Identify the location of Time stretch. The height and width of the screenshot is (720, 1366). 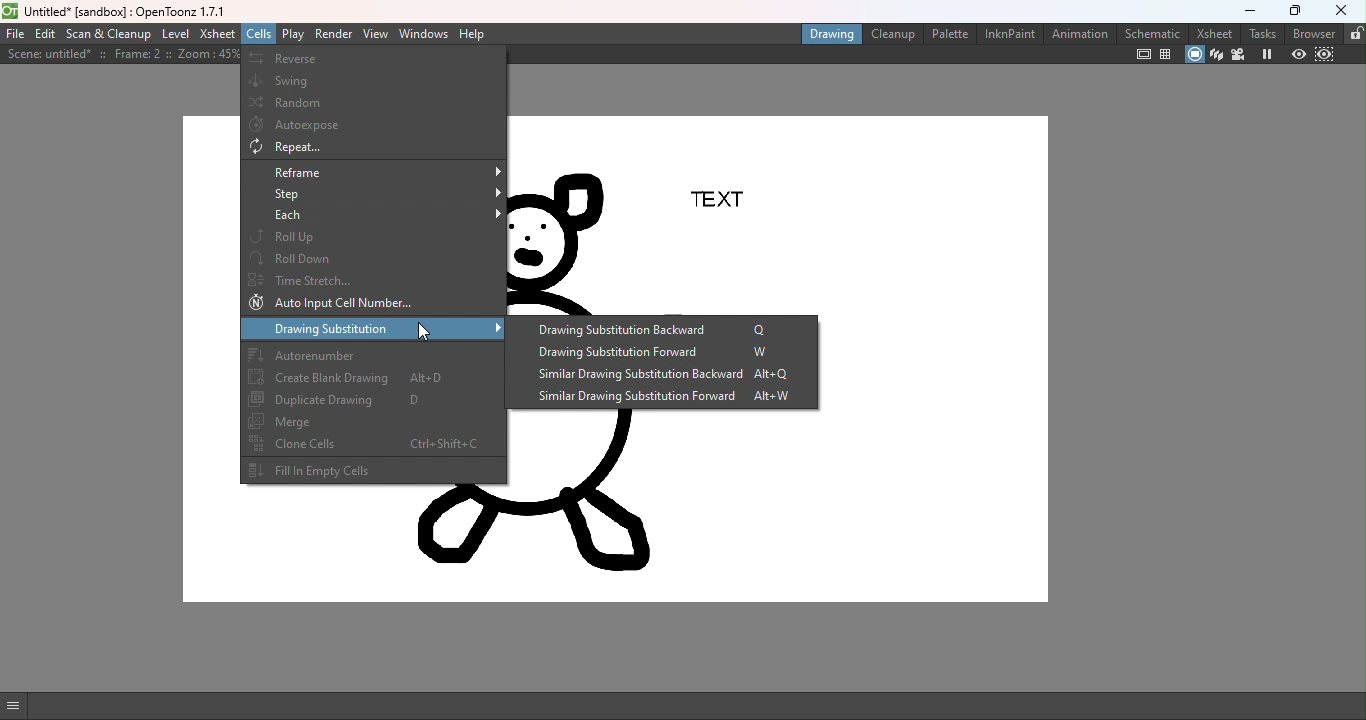
(375, 282).